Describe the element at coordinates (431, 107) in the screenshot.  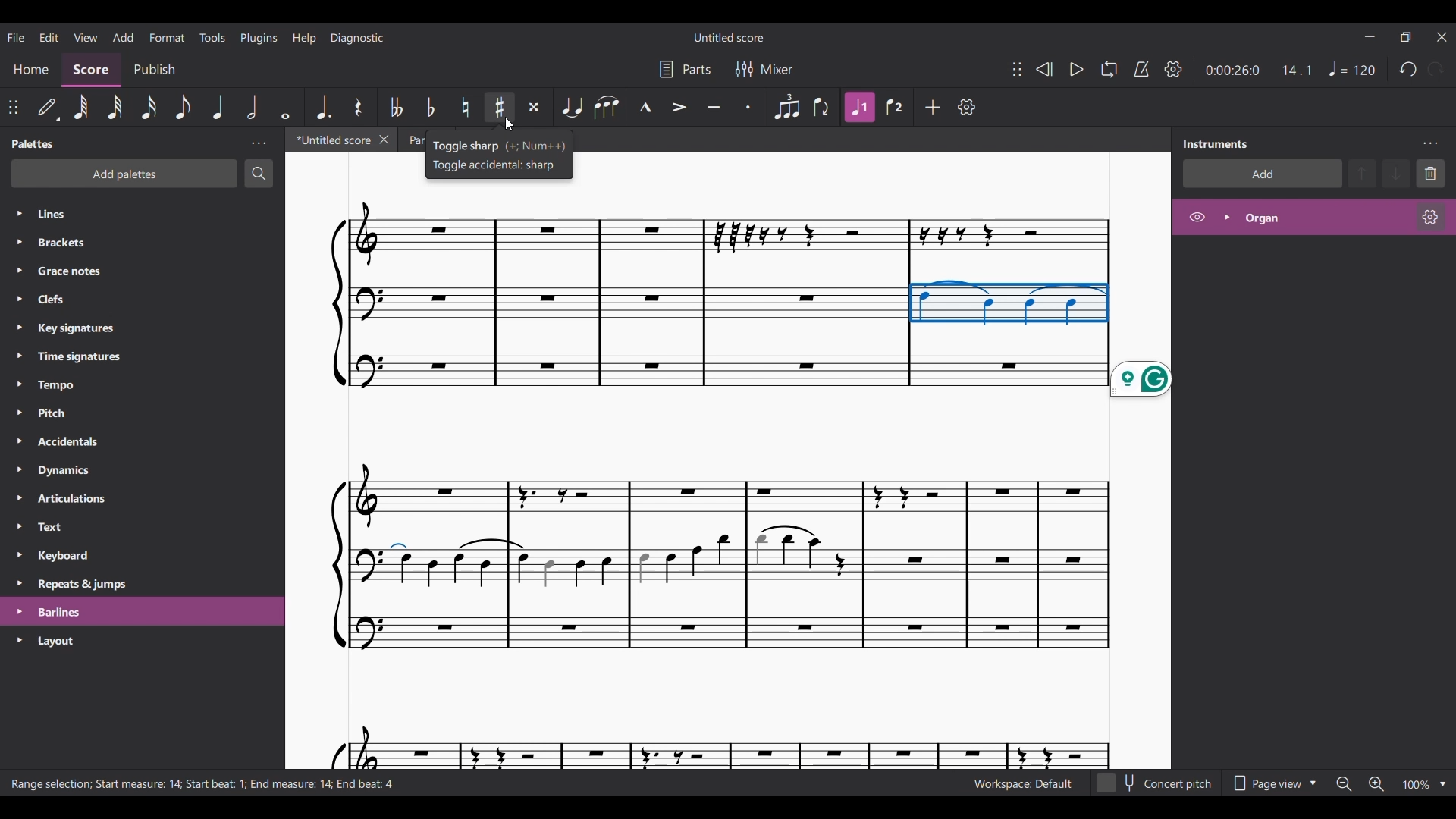
I see `Toggle flat` at that location.